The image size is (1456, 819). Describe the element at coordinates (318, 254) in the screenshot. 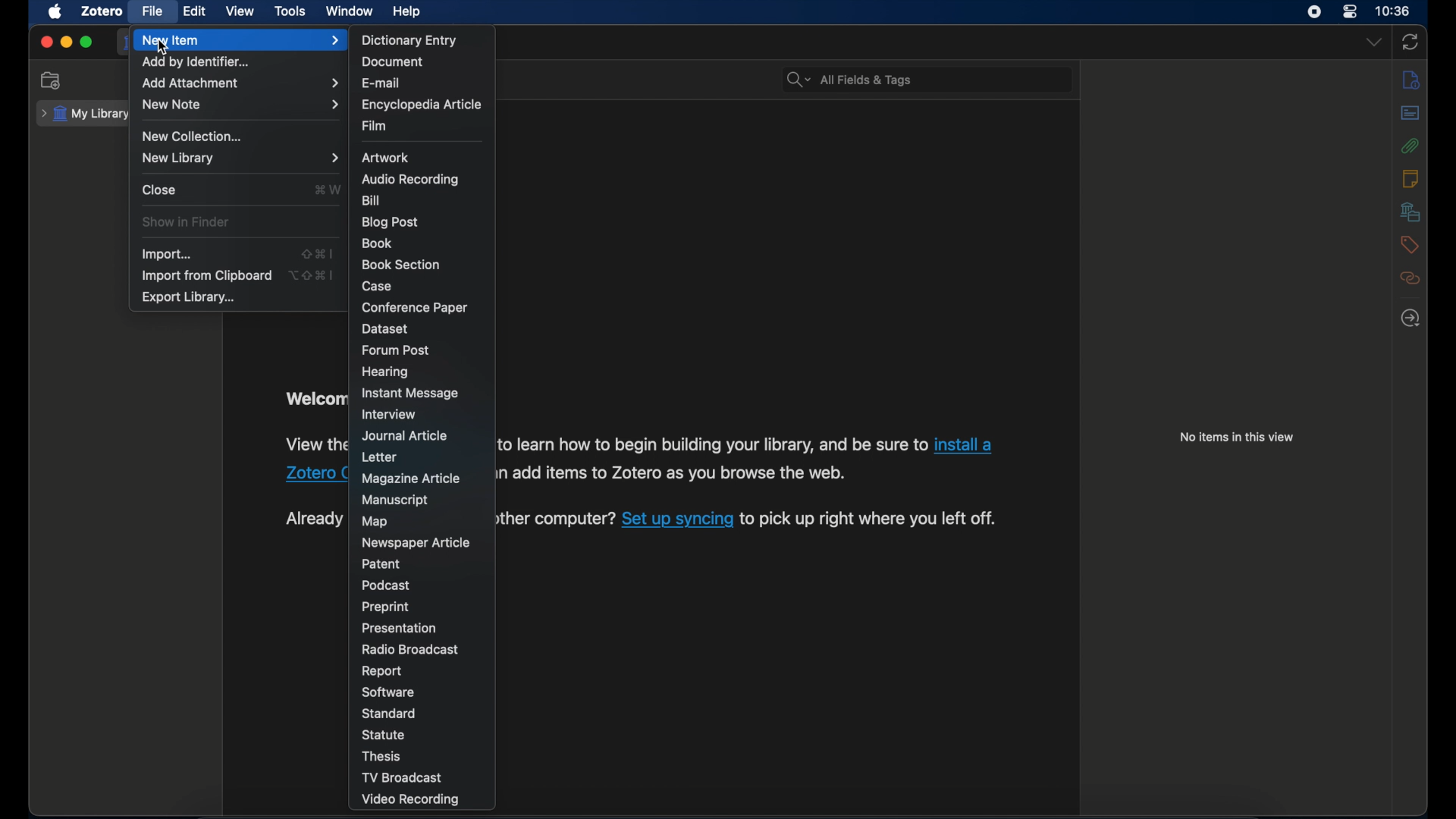

I see `shortcut` at that location.